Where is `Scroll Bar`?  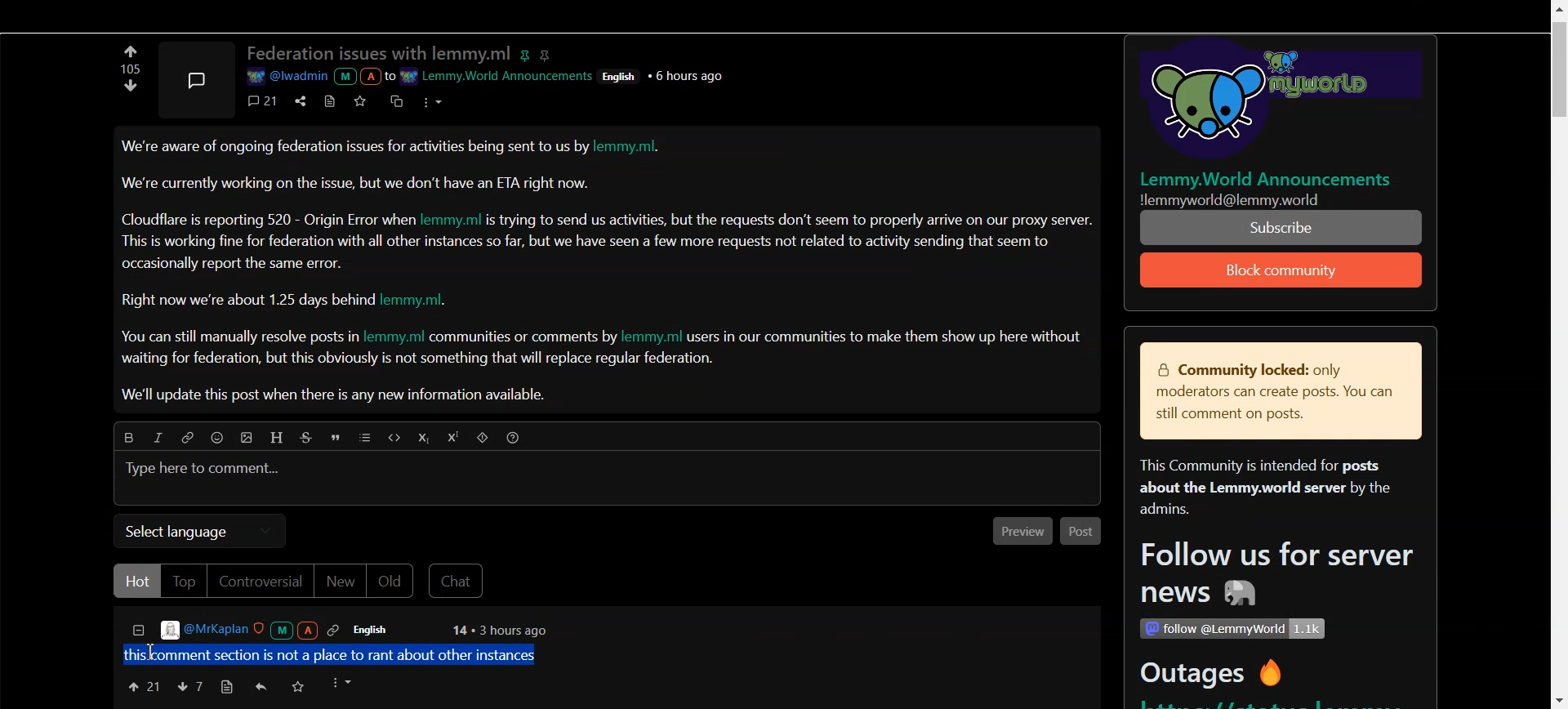 Scroll Bar is located at coordinates (1557, 354).